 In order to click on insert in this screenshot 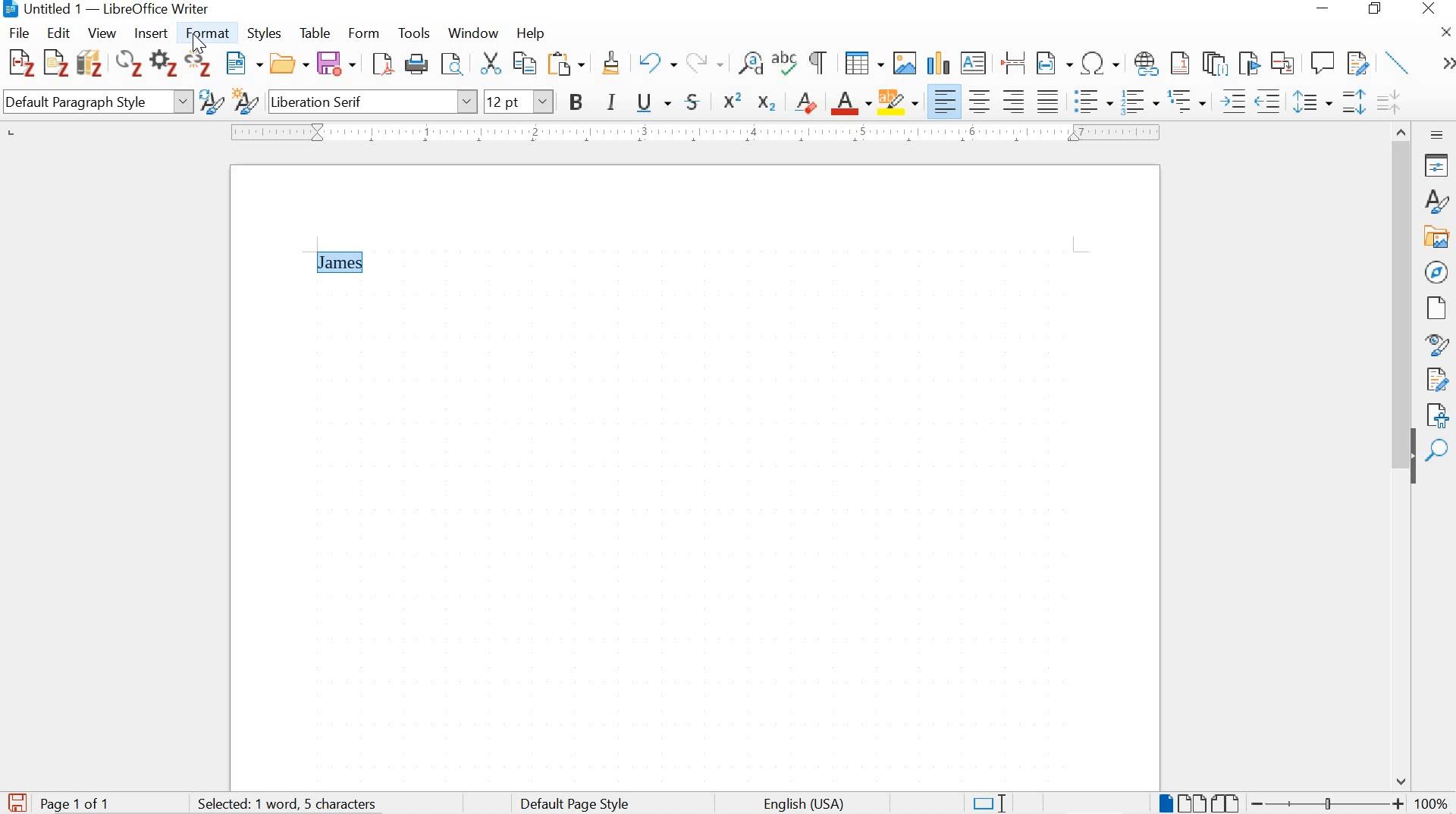, I will do `click(149, 34)`.